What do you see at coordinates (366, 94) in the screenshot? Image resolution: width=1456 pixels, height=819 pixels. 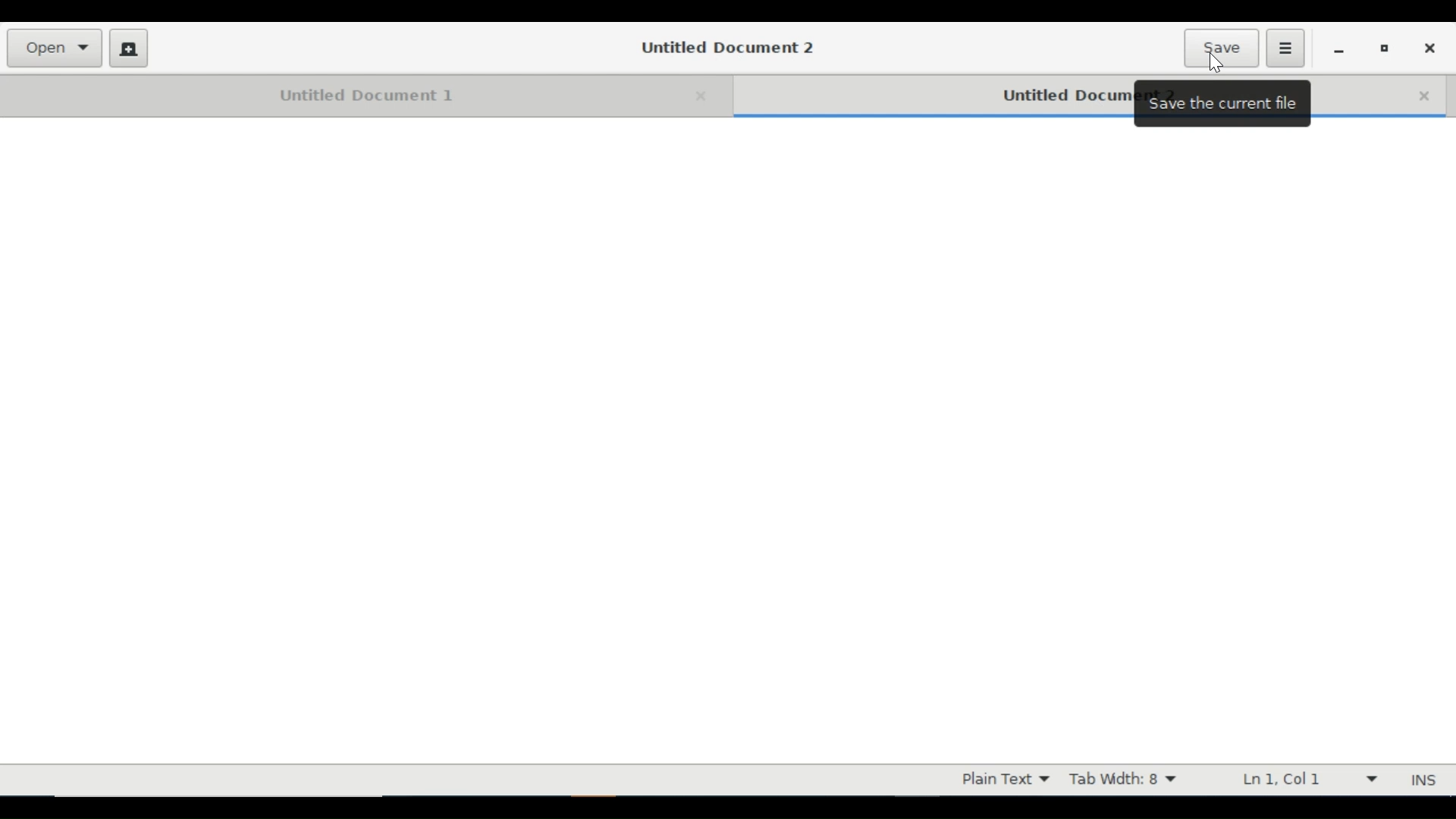 I see `Untitled Document 1 ` at bounding box center [366, 94].